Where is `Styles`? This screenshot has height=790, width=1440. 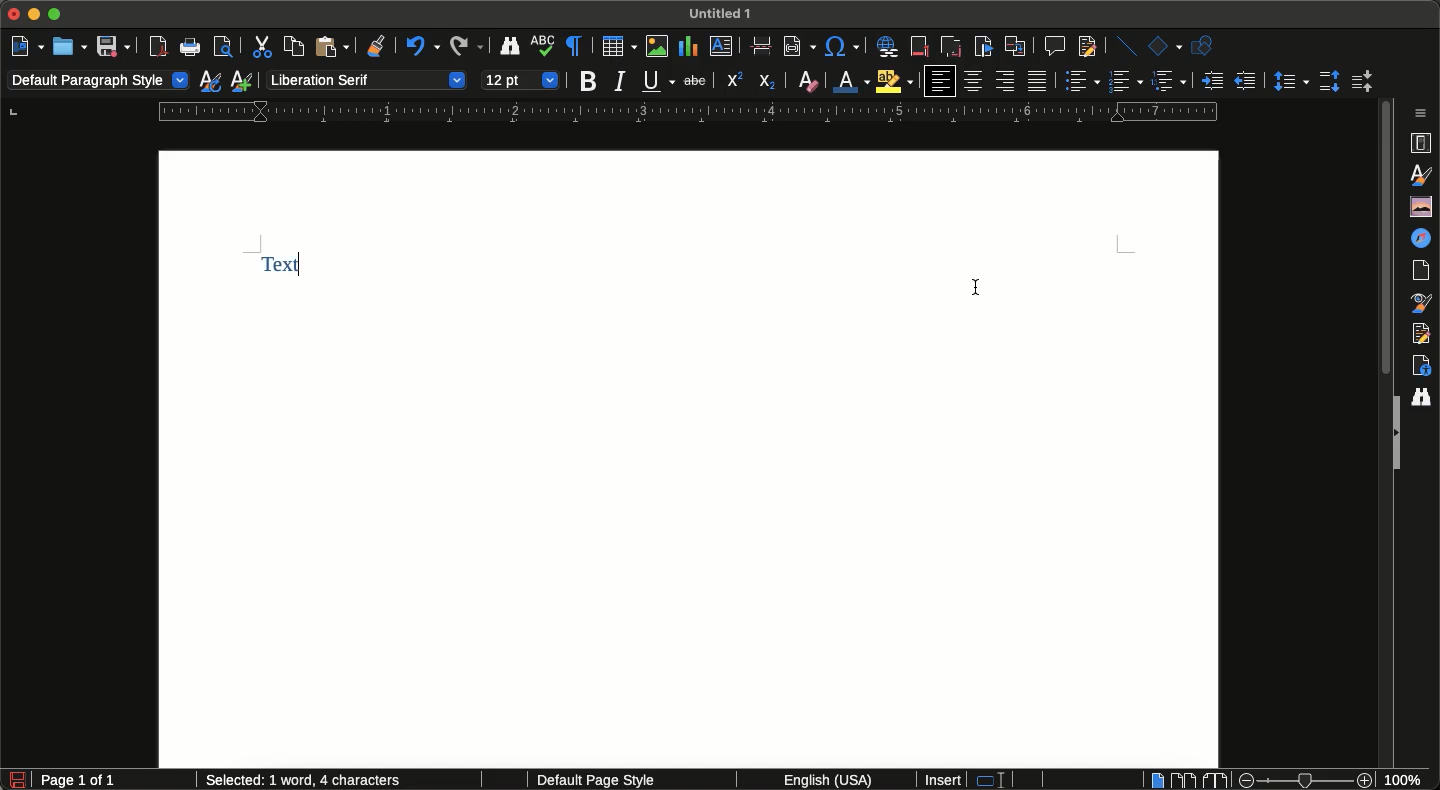
Styles is located at coordinates (1423, 174).